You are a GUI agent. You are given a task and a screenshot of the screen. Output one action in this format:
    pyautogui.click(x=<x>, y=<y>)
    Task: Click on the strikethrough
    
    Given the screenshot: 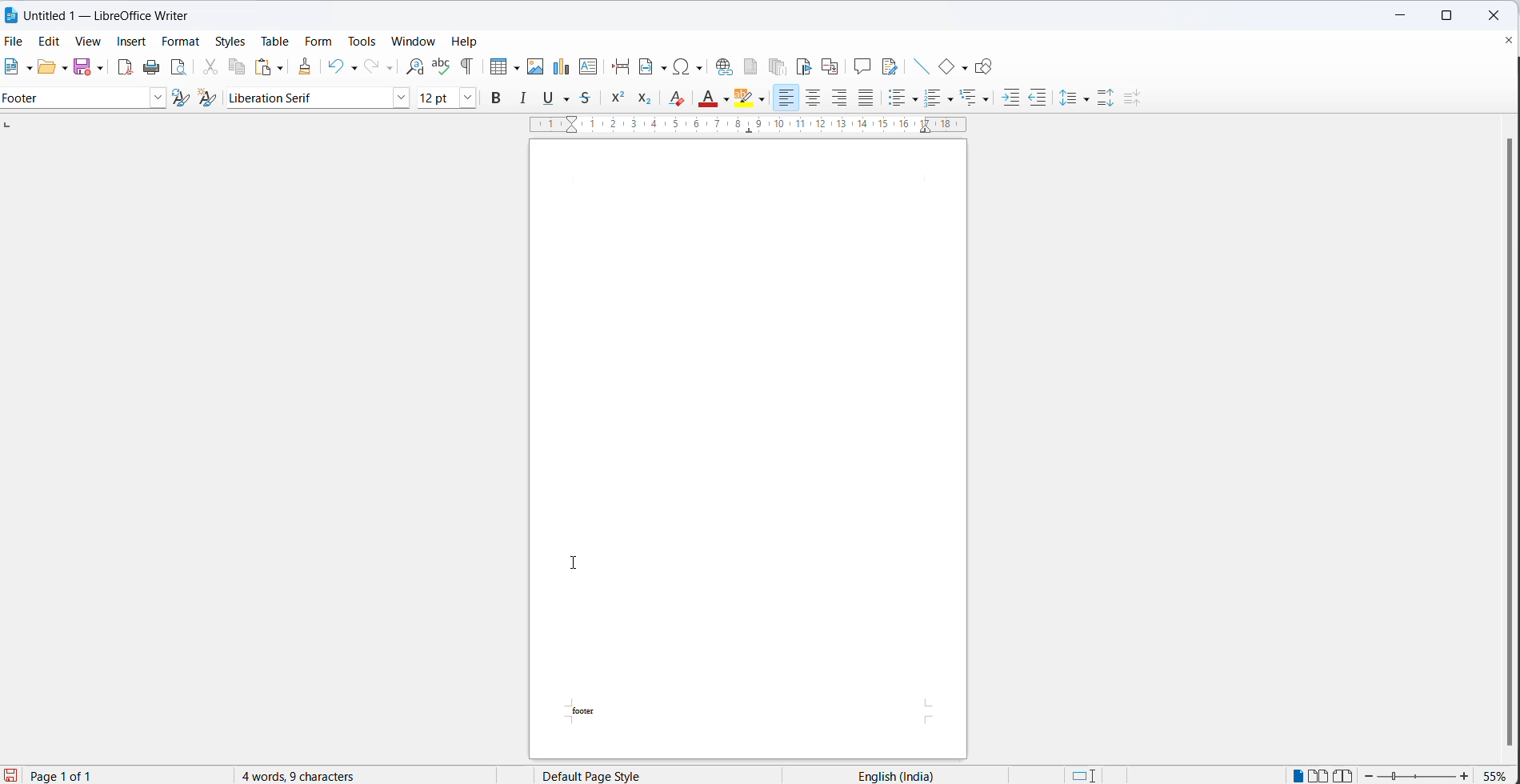 What is the action you would take?
    pyautogui.click(x=590, y=98)
    